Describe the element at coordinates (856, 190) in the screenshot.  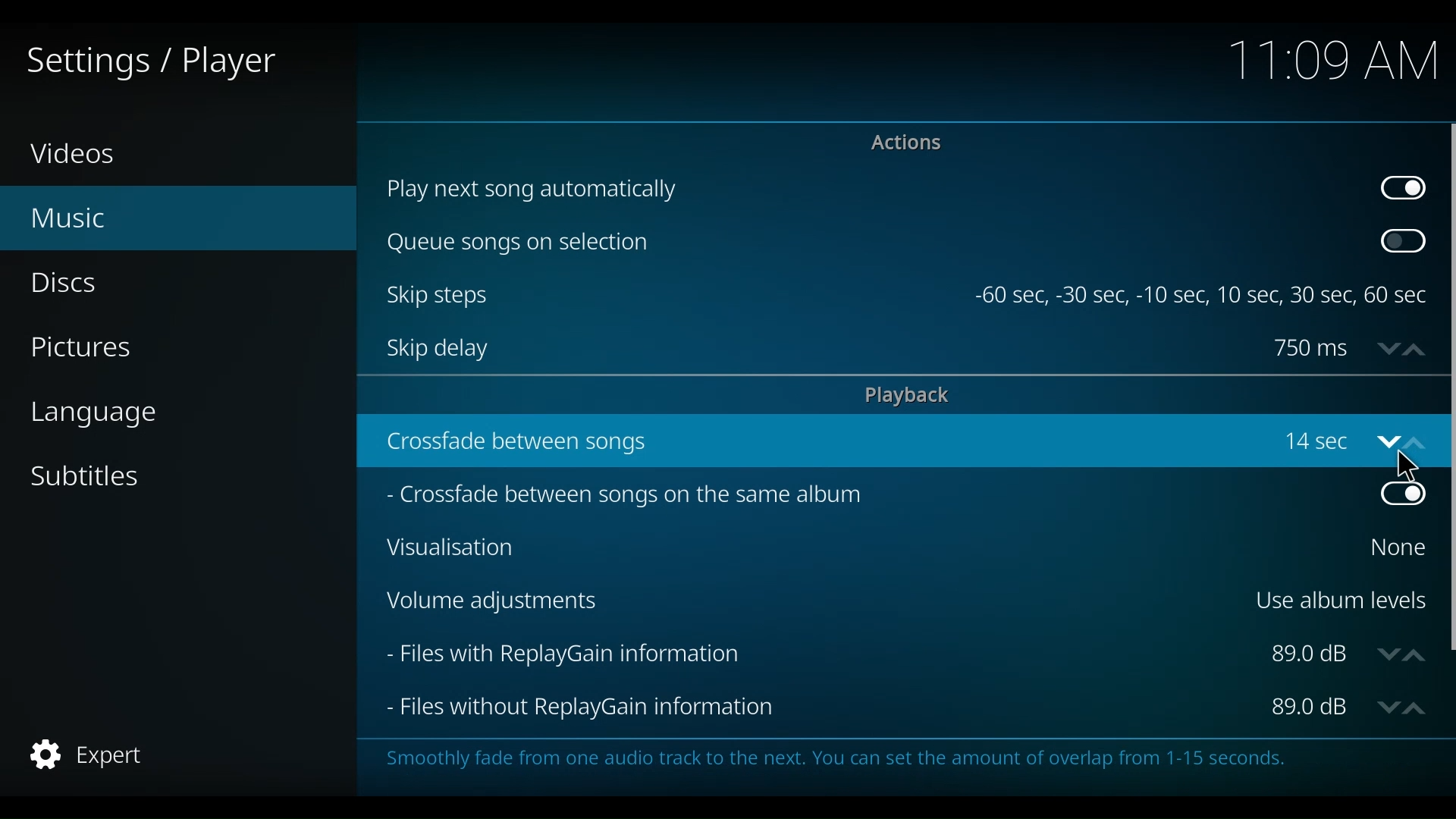
I see `Play next song automatically` at that location.